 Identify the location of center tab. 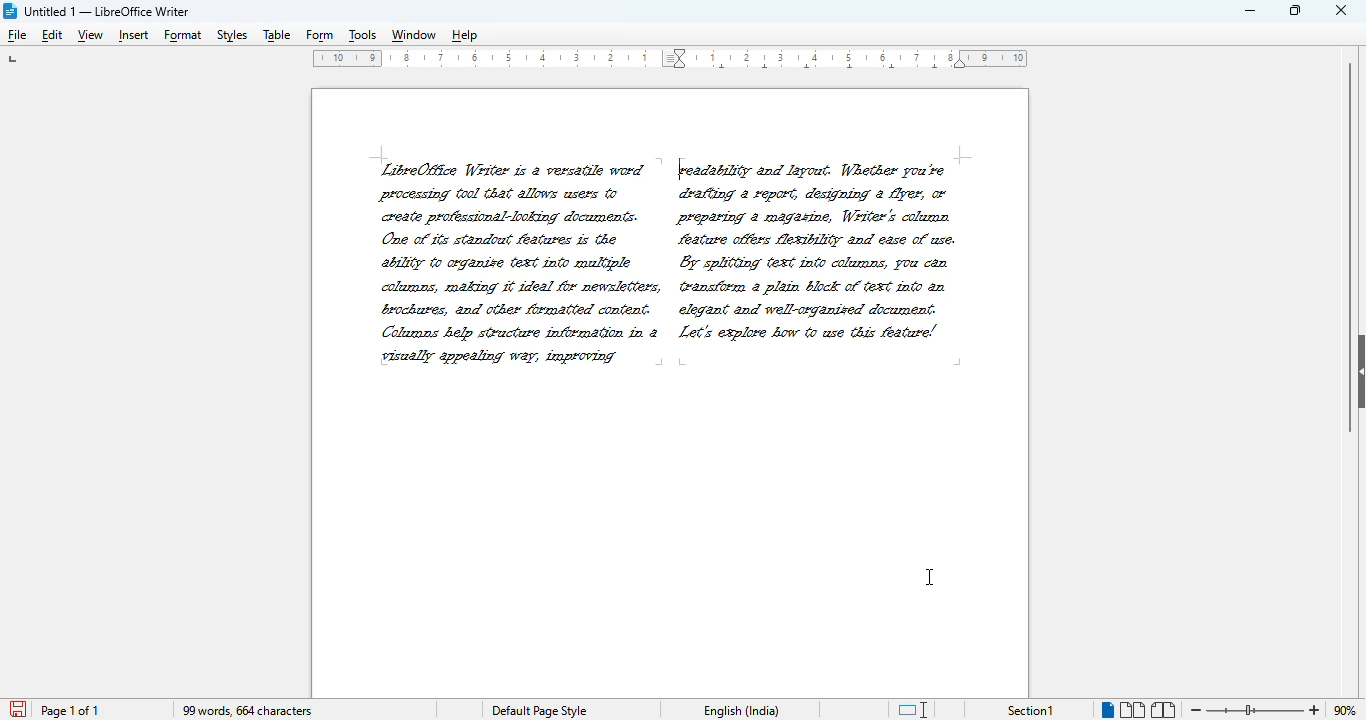
(721, 67).